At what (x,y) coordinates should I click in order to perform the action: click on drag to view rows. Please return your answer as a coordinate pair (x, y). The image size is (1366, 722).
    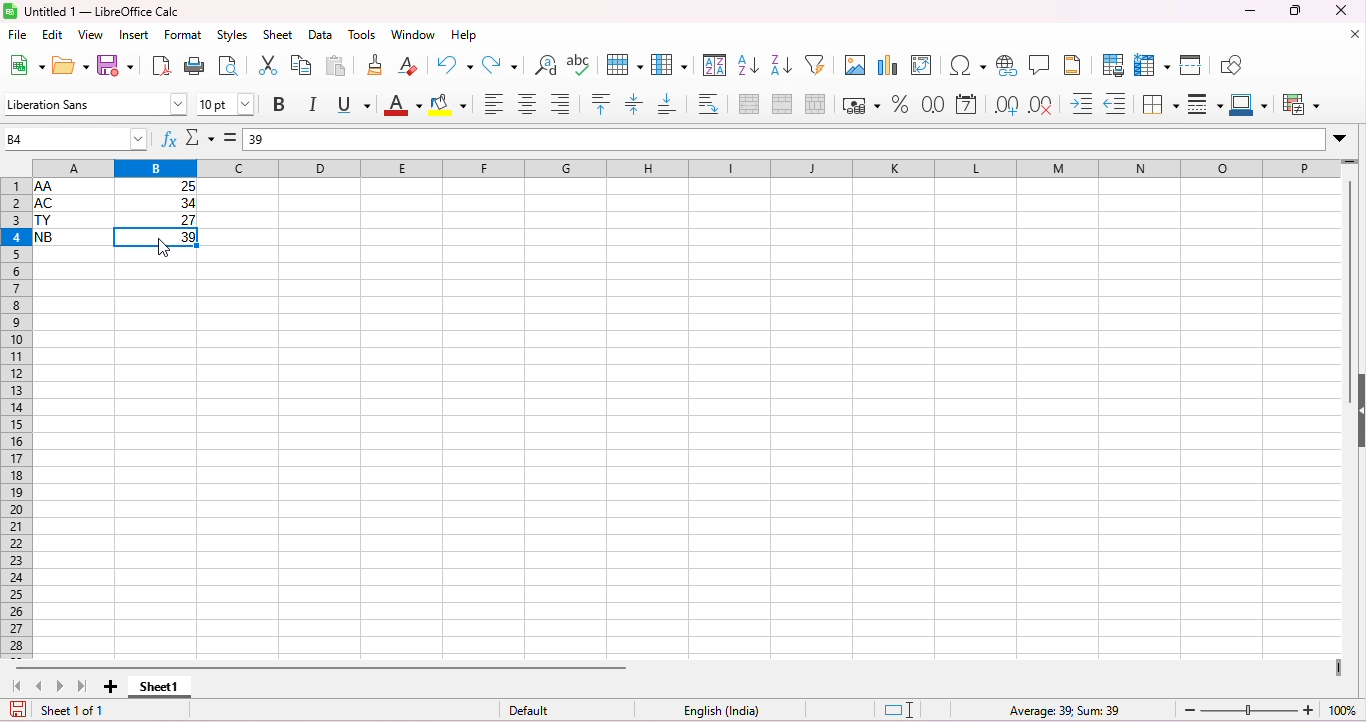
    Looking at the image, I should click on (1351, 162).